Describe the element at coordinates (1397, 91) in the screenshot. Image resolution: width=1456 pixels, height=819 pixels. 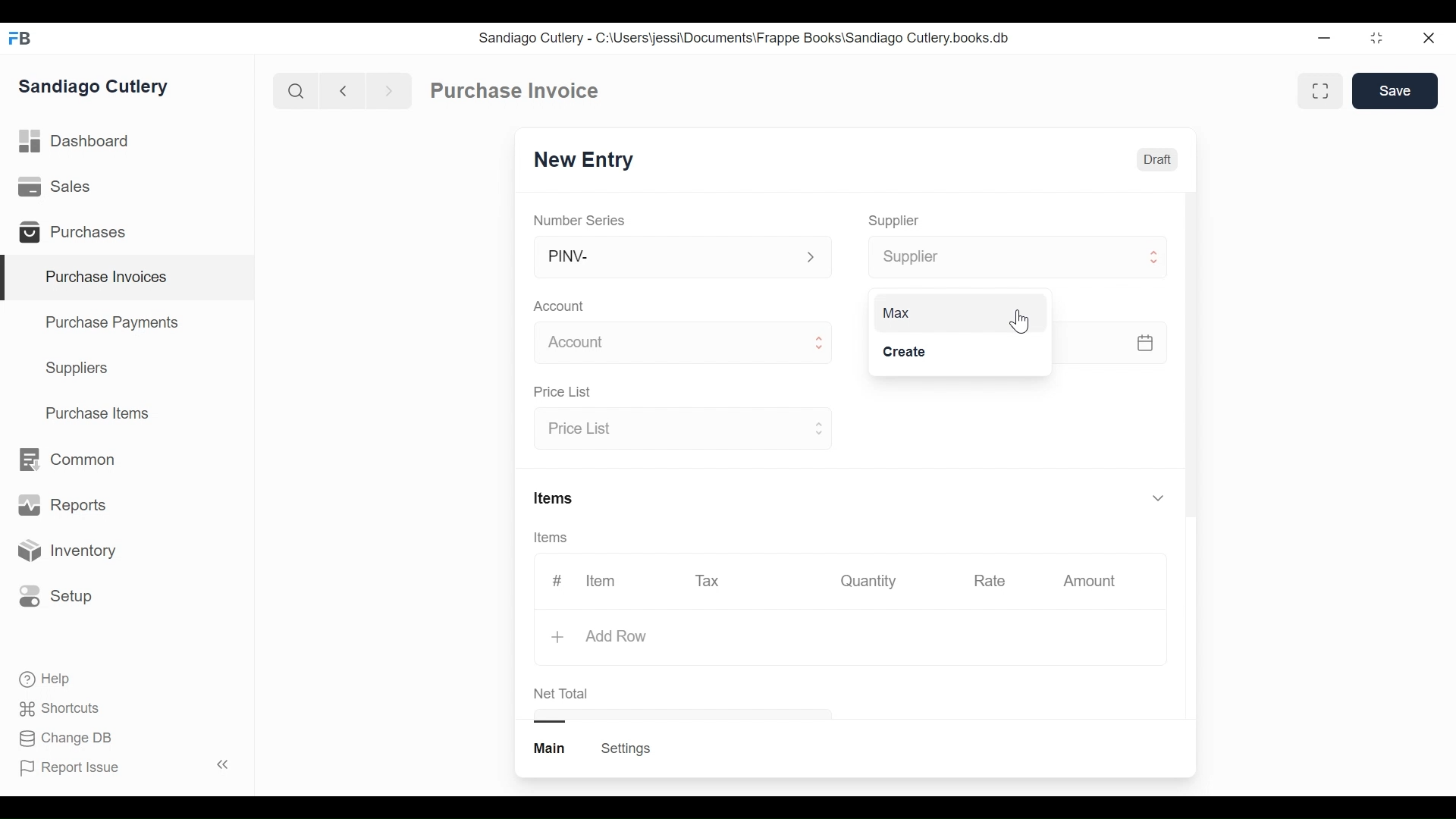
I see `Save` at that location.